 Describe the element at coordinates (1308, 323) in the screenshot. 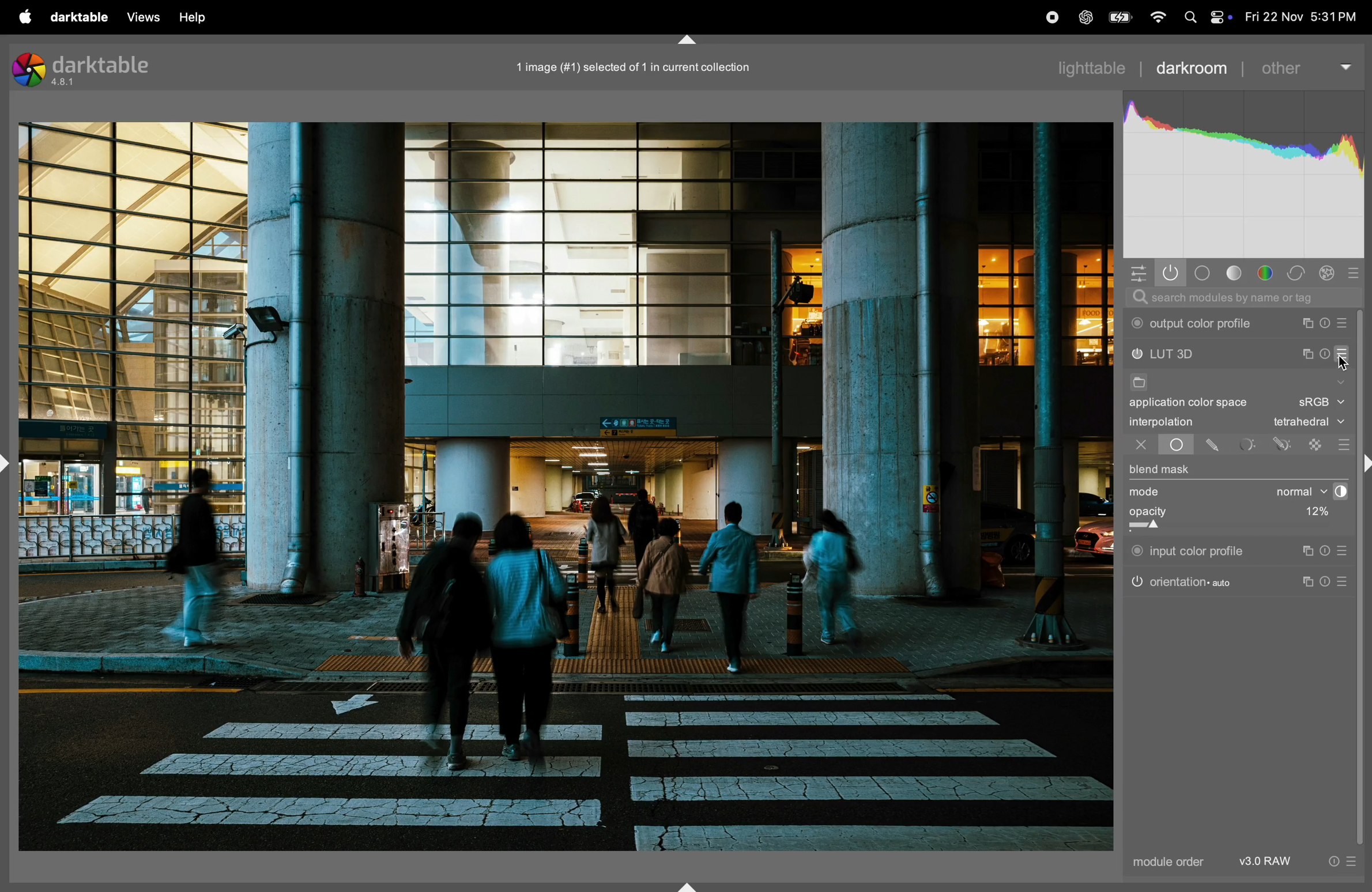

I see `multiple instance actions` at that location.